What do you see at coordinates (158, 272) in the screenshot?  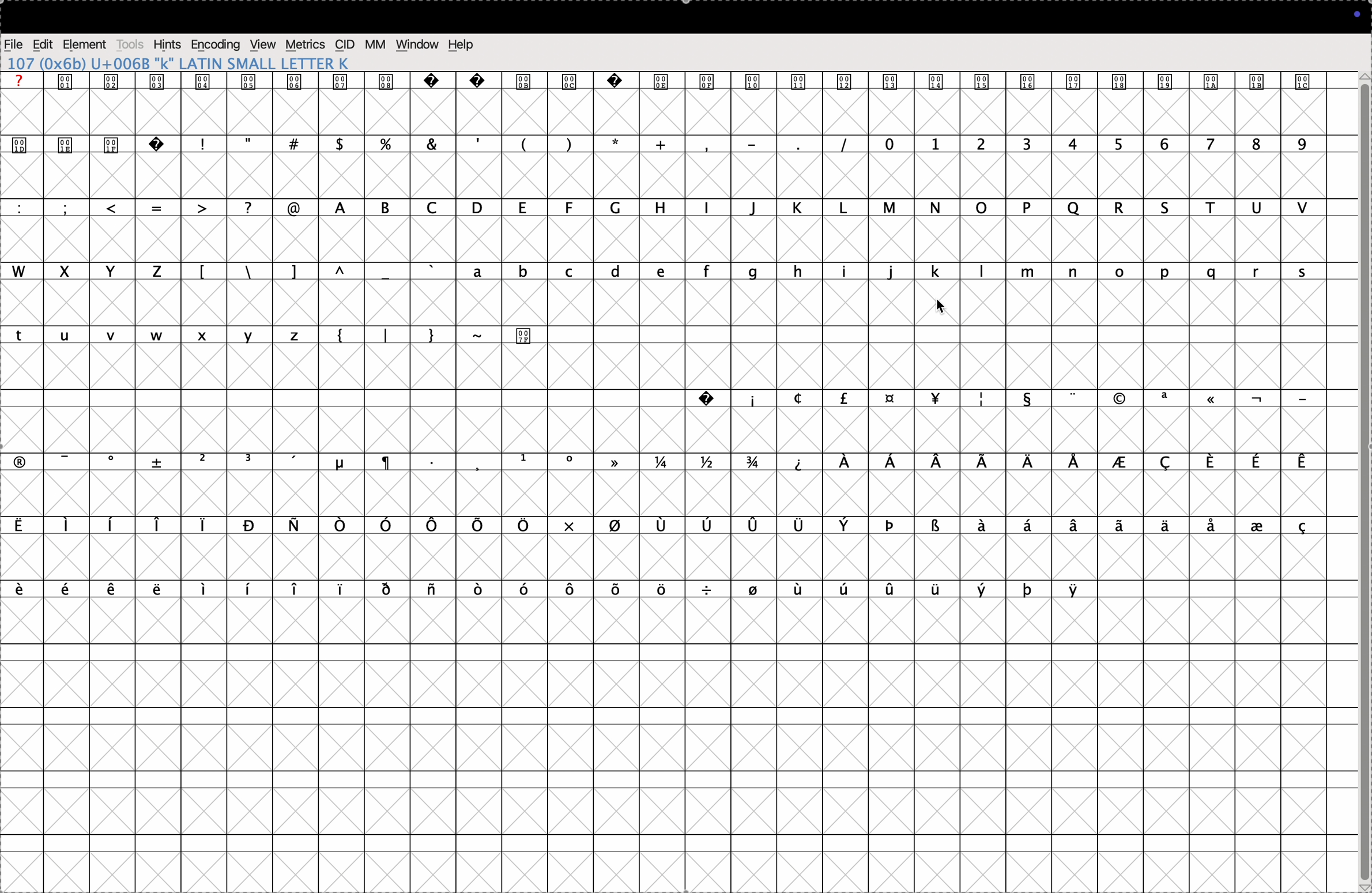 I see `z` at bounding box center [158, 272].